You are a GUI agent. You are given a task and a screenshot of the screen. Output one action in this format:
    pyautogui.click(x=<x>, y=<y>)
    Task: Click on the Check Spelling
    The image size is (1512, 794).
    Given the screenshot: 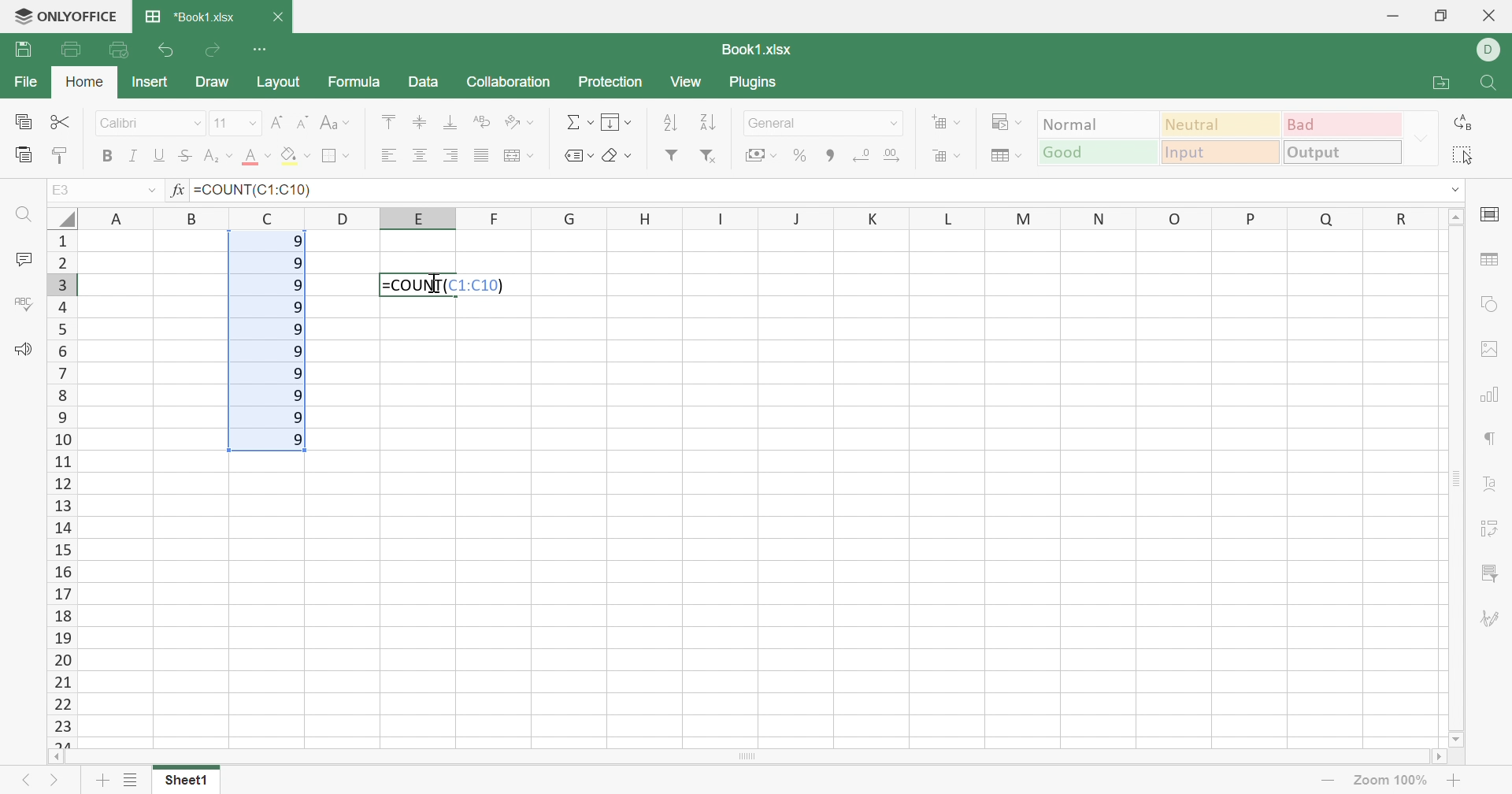 What is the action you would take?
    pyautogui.click(x=22, y=301)
    